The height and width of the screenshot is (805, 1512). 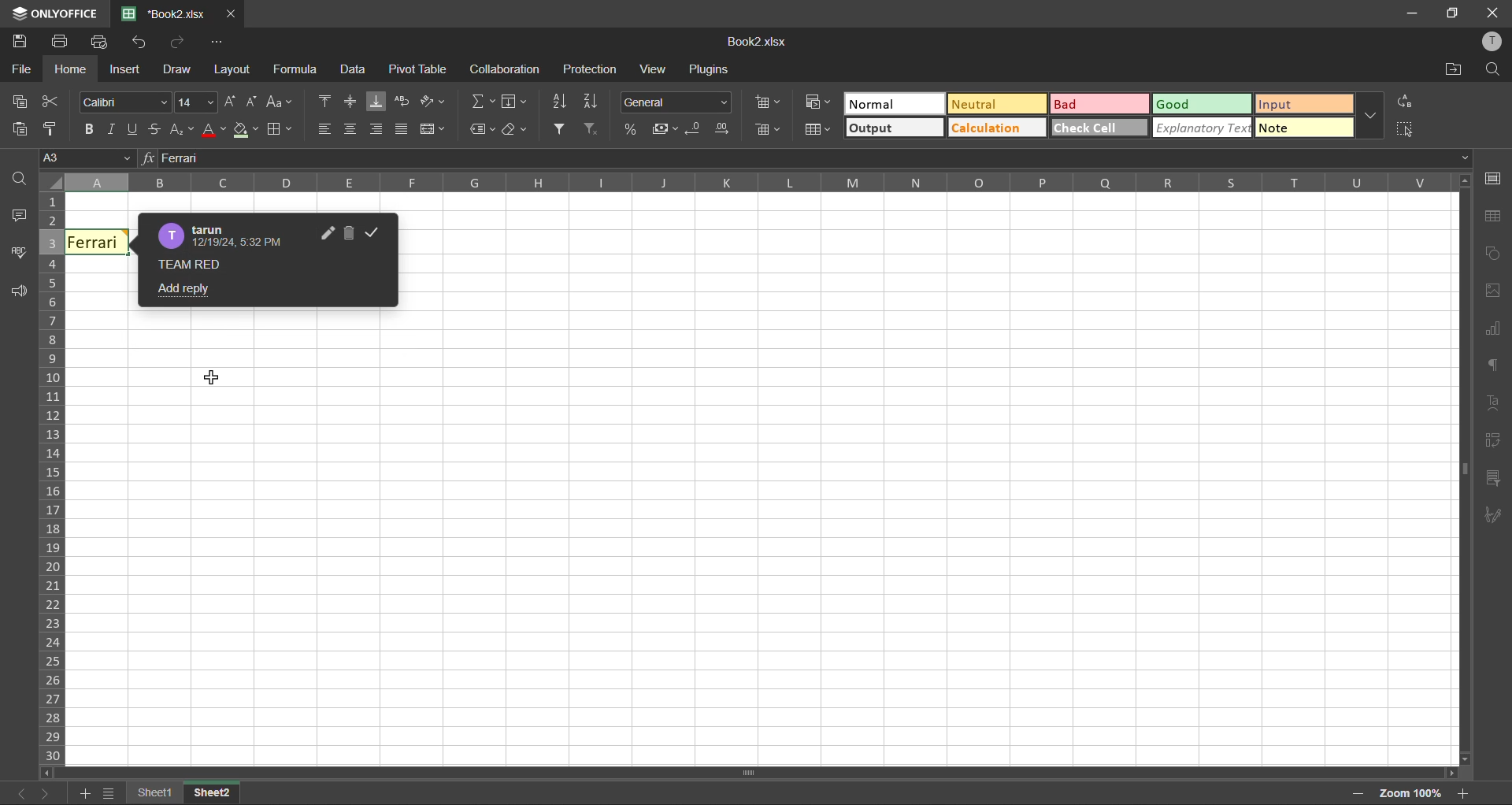 I want to click on align right, so click(x=376, y=131).